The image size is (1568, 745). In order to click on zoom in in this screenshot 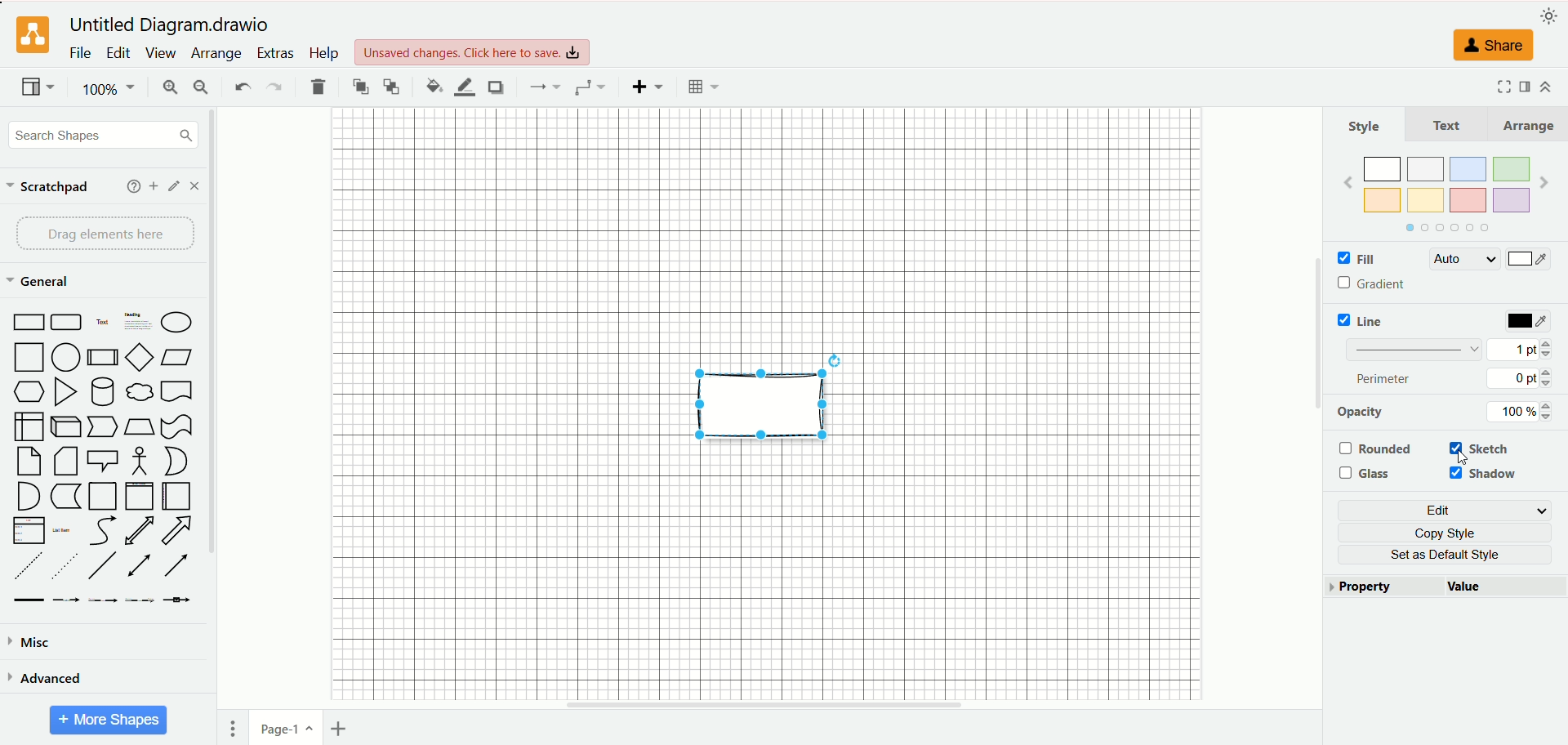, I will do `click(167, 89)`.